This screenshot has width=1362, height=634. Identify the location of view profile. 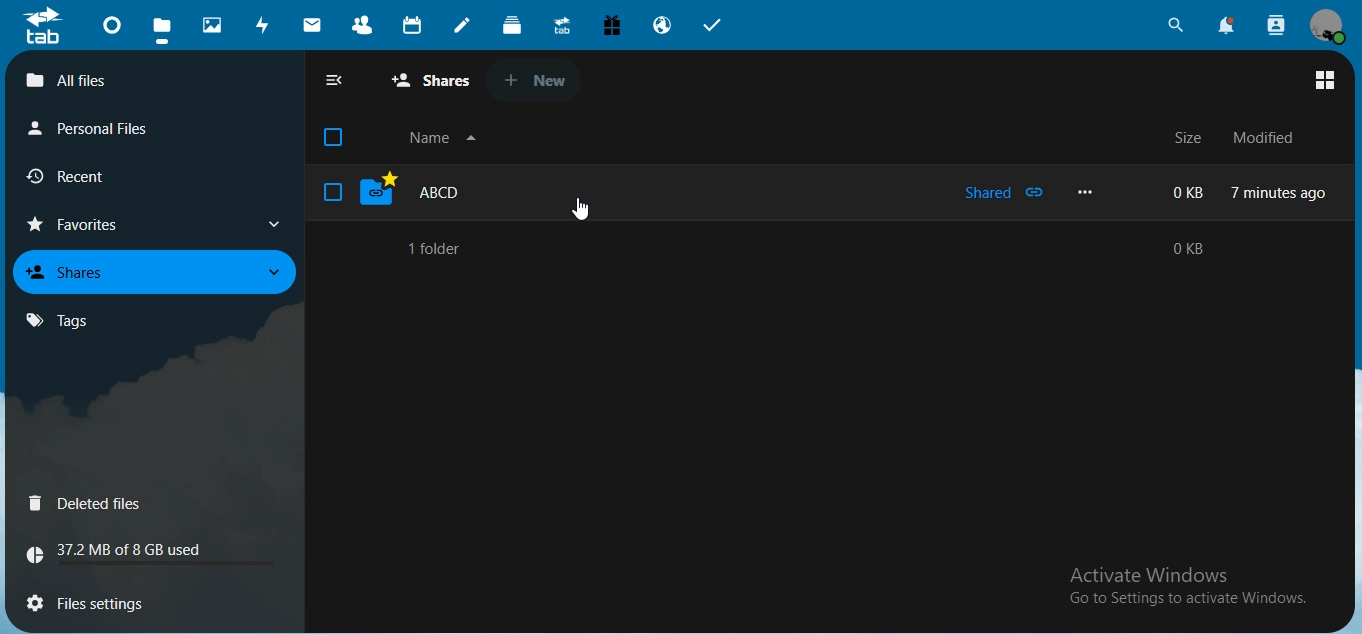
(1327, 26).